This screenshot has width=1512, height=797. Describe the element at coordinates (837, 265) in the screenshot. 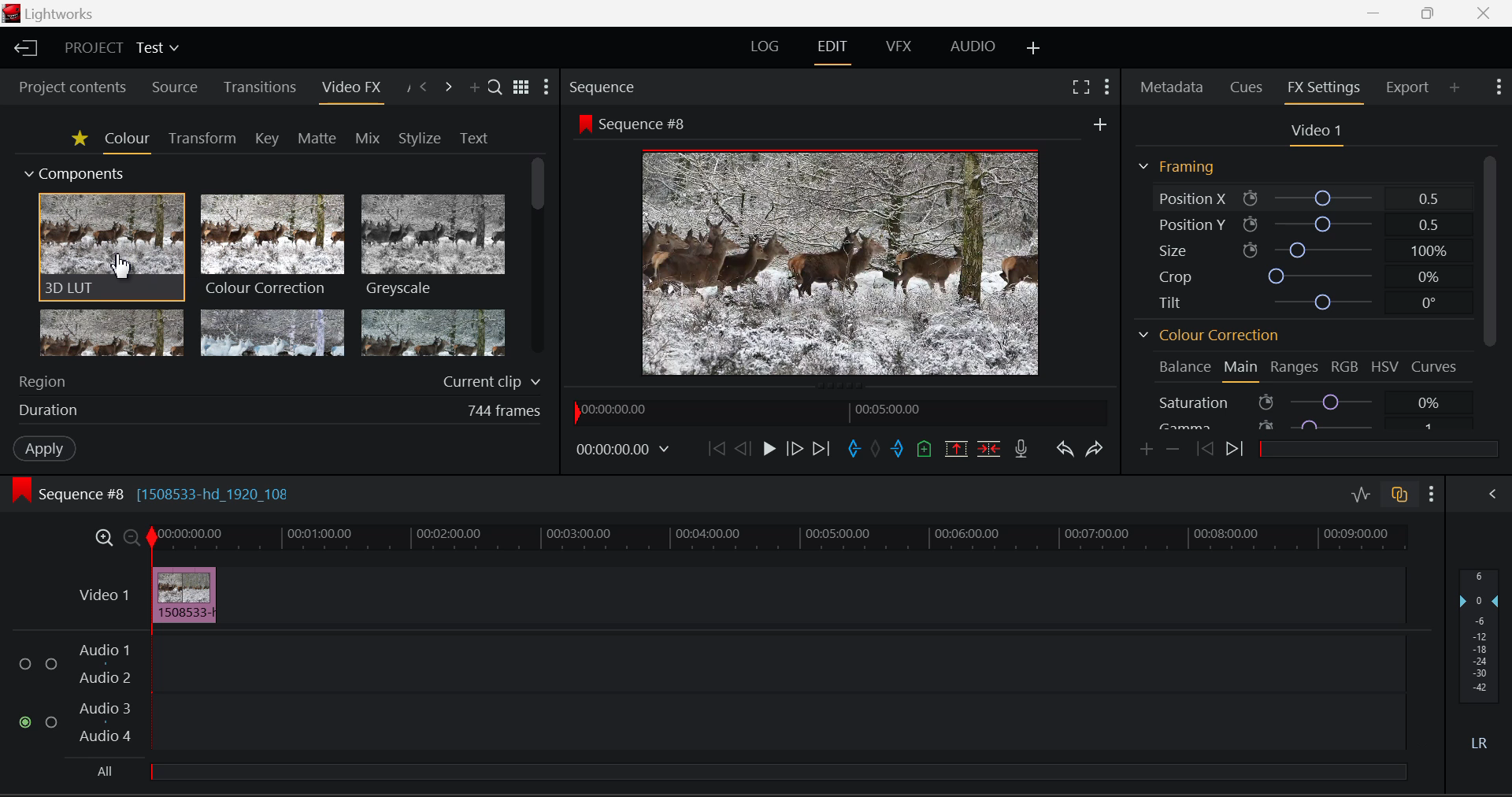

I see `Sequence Preview Screen` at that location.